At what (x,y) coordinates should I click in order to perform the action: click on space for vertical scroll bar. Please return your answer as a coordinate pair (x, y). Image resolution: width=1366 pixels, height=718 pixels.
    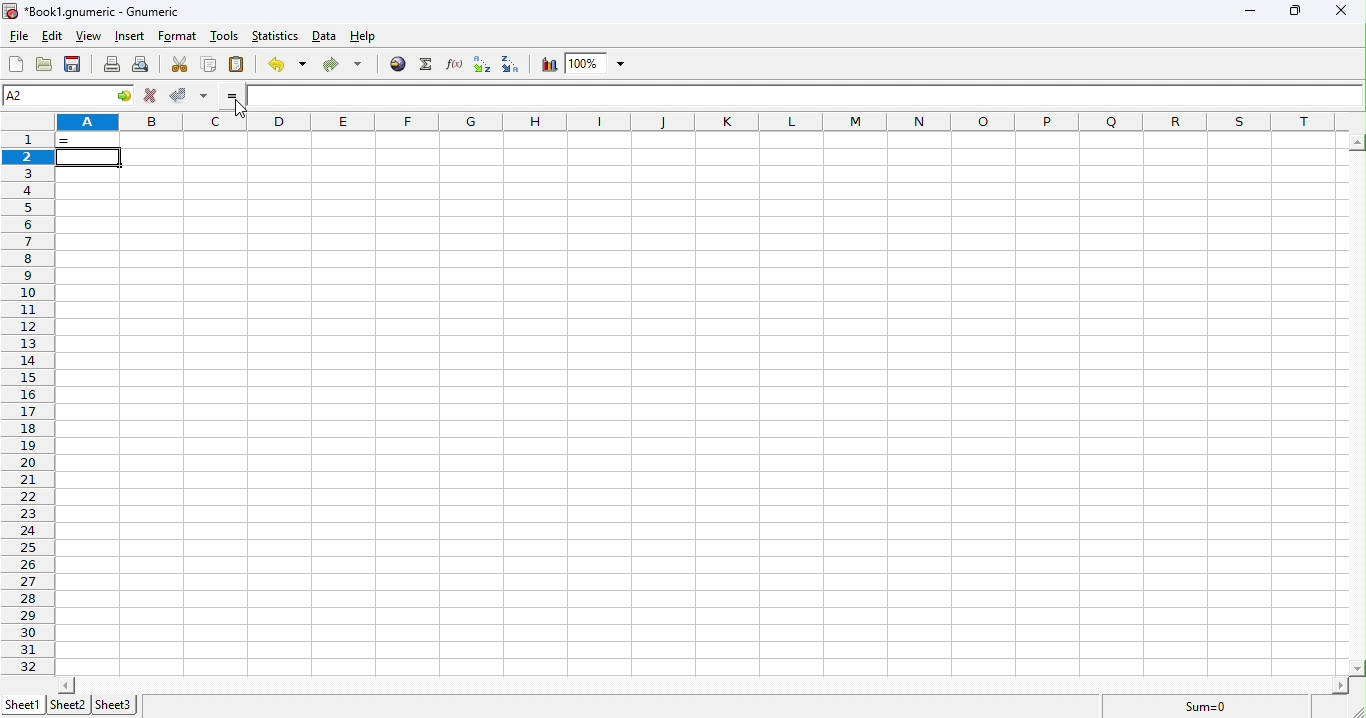
    Looking at the image, I should click on (1357, 403).